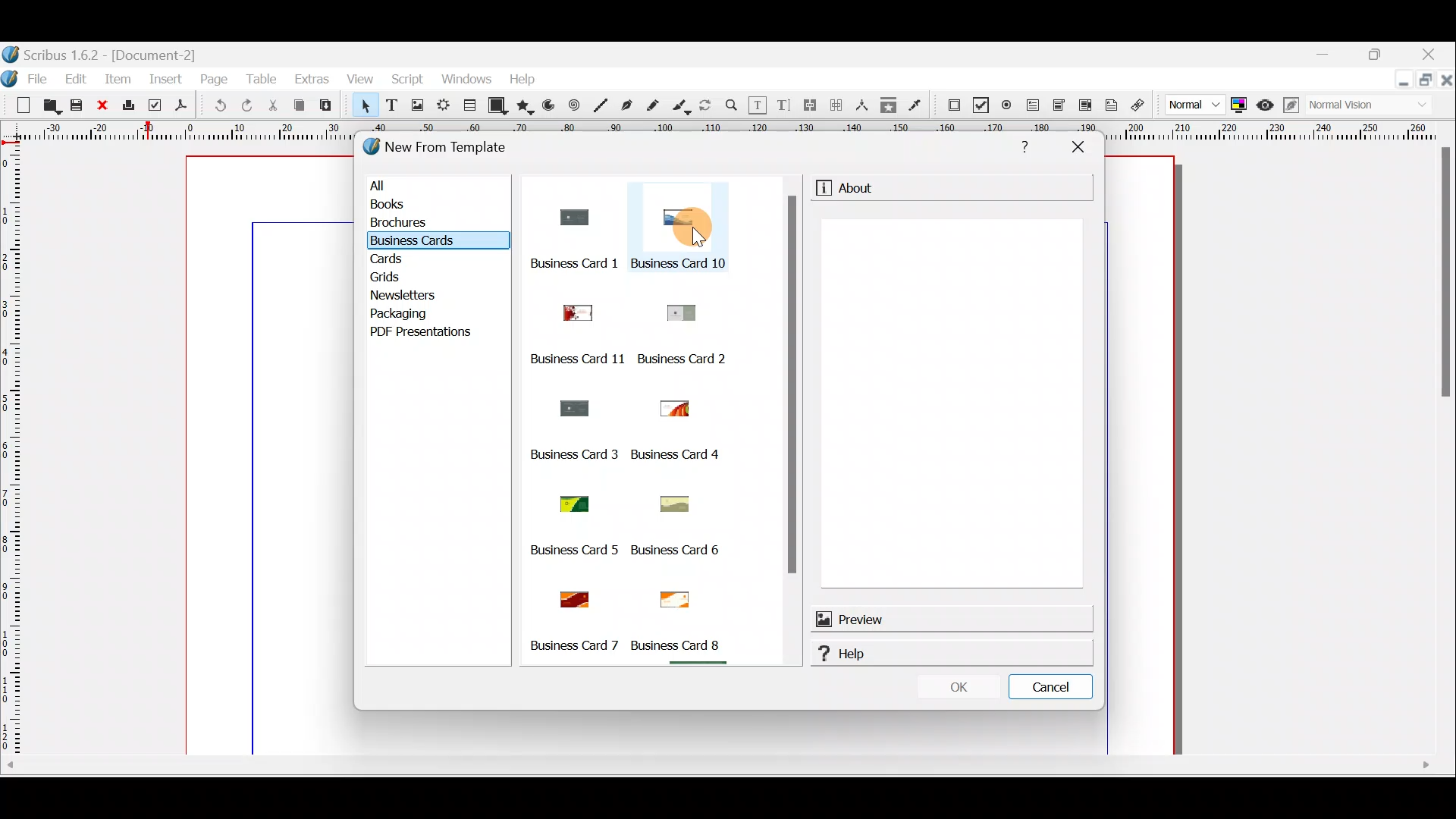  Describe the element at coordinates (808, 105) in the screenshot. I see `Link text frames` at that location.